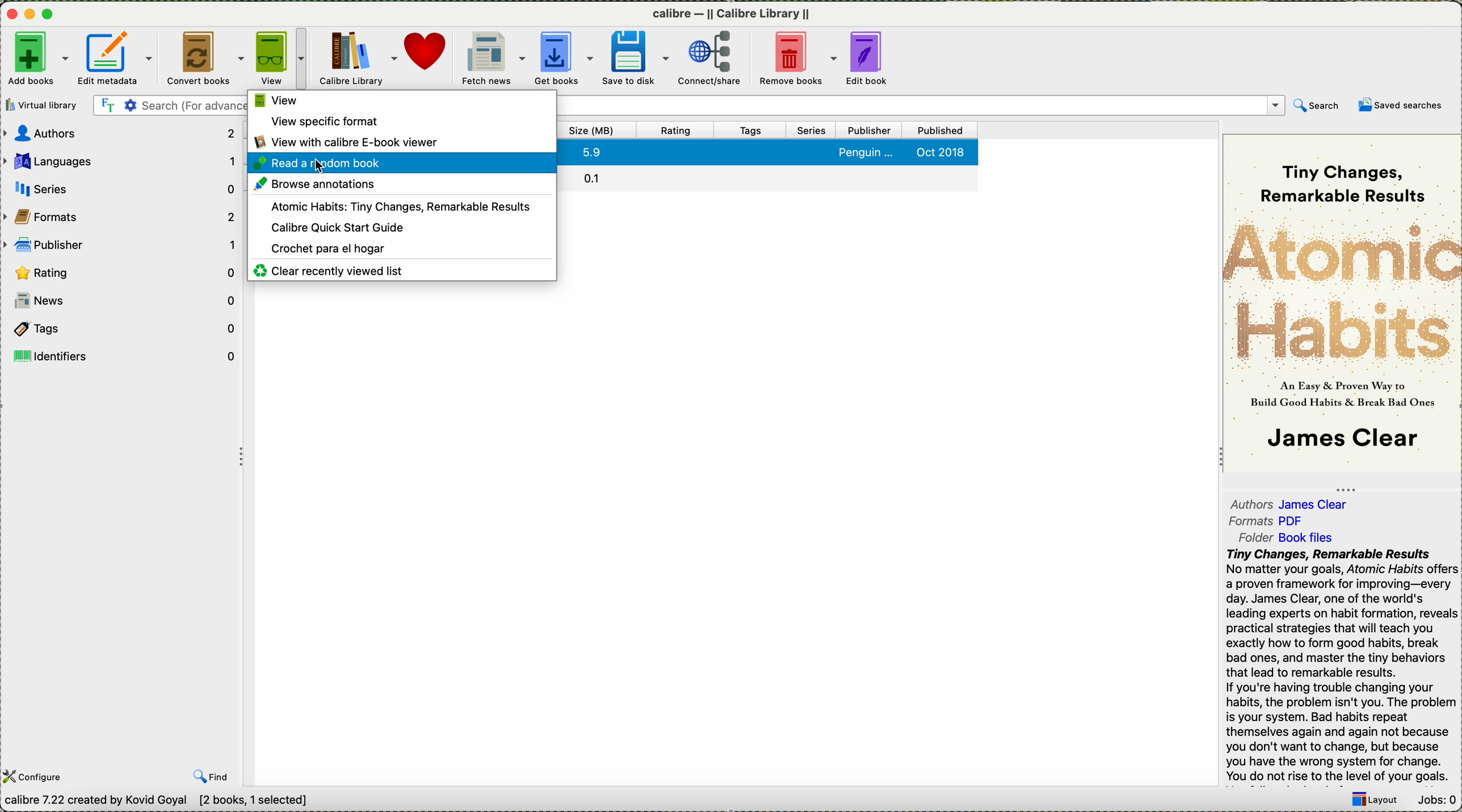  Describe the element at coordinates (1341, 299) in the screenshot. I see `~~ Tiny Changes,

~ Remarkable Results
A A — & Proven Way to :
Build Good Habits & Break Bad On

I James Clear` at that location.